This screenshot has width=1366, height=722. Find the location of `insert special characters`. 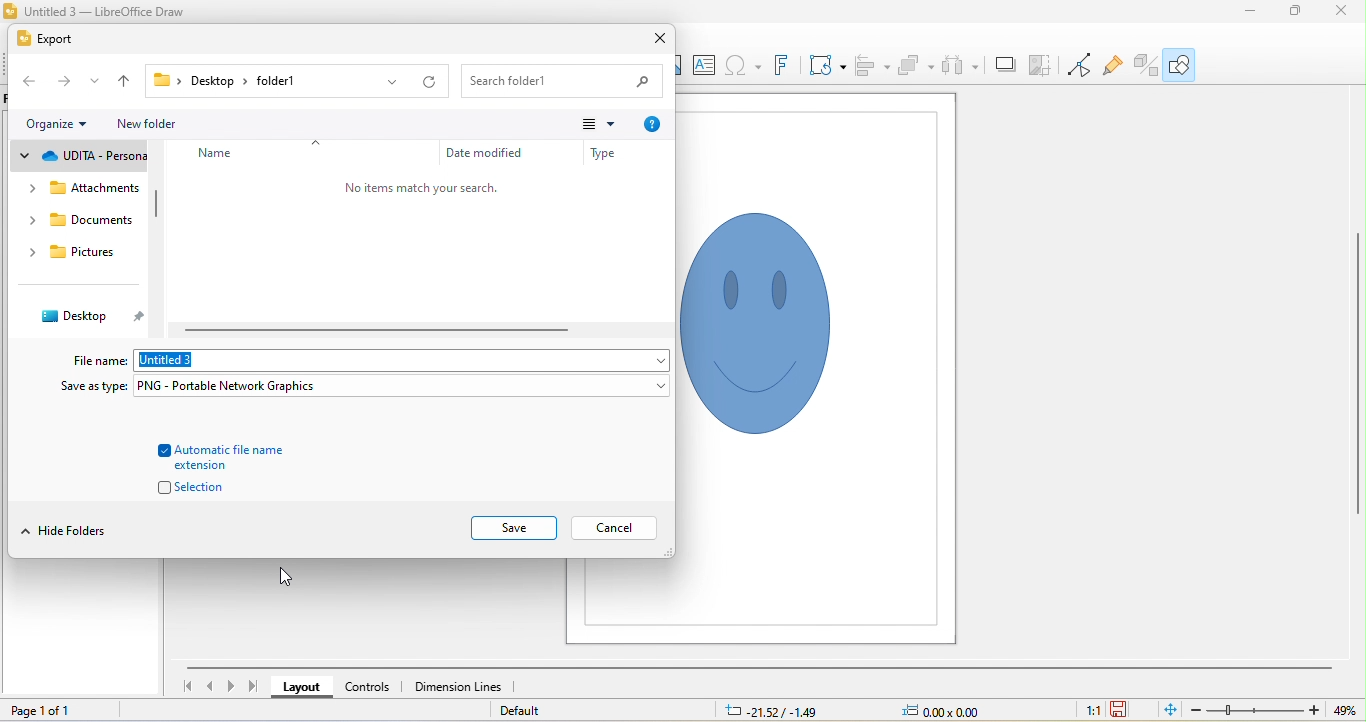

insert special characters is located at coordinates (744, 66).